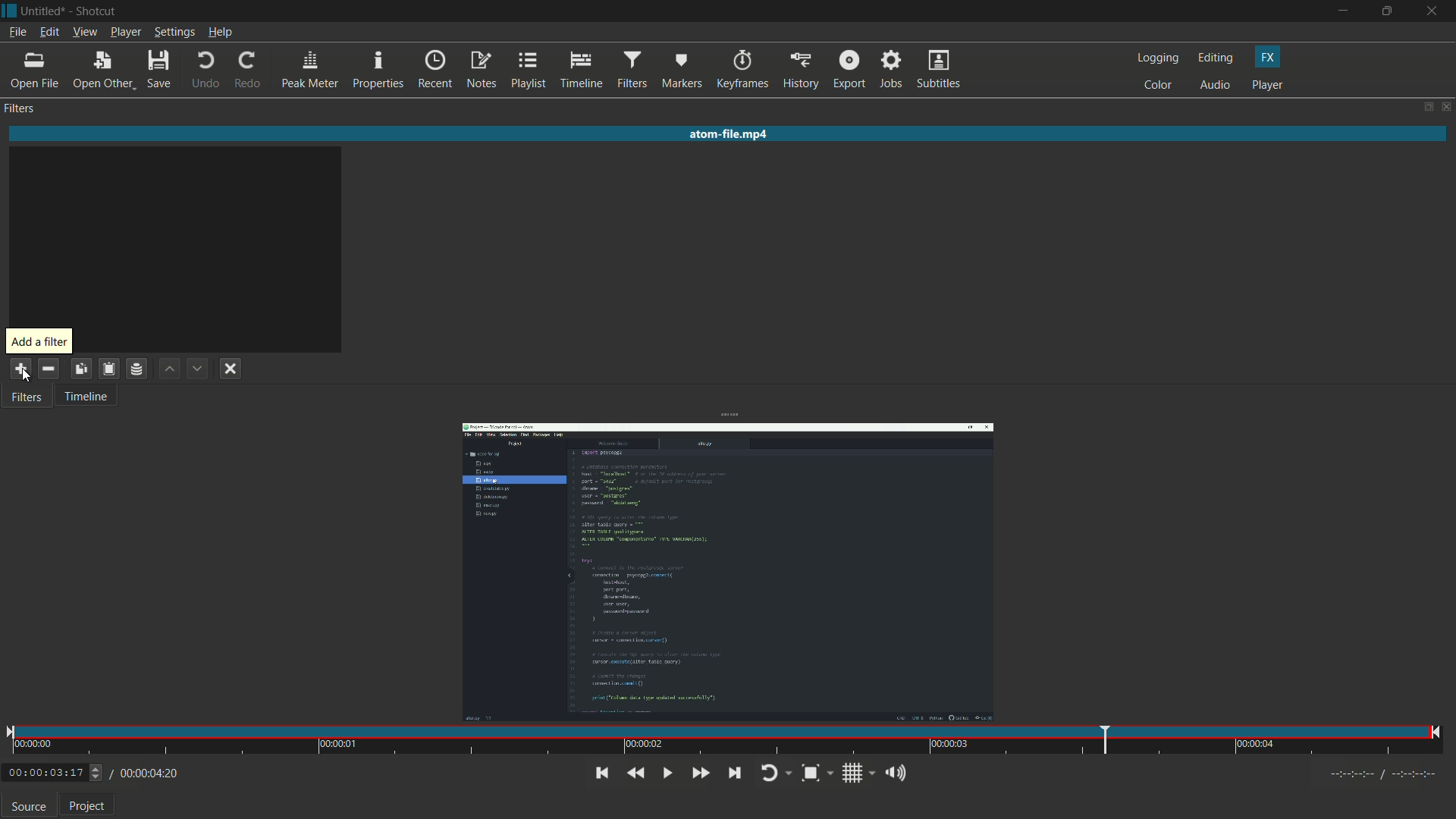 The width and height of the screenshot is (1456, 819). Describe the element at coordinates (97, 11) in the screenshot. I see `shotcut` at that location.